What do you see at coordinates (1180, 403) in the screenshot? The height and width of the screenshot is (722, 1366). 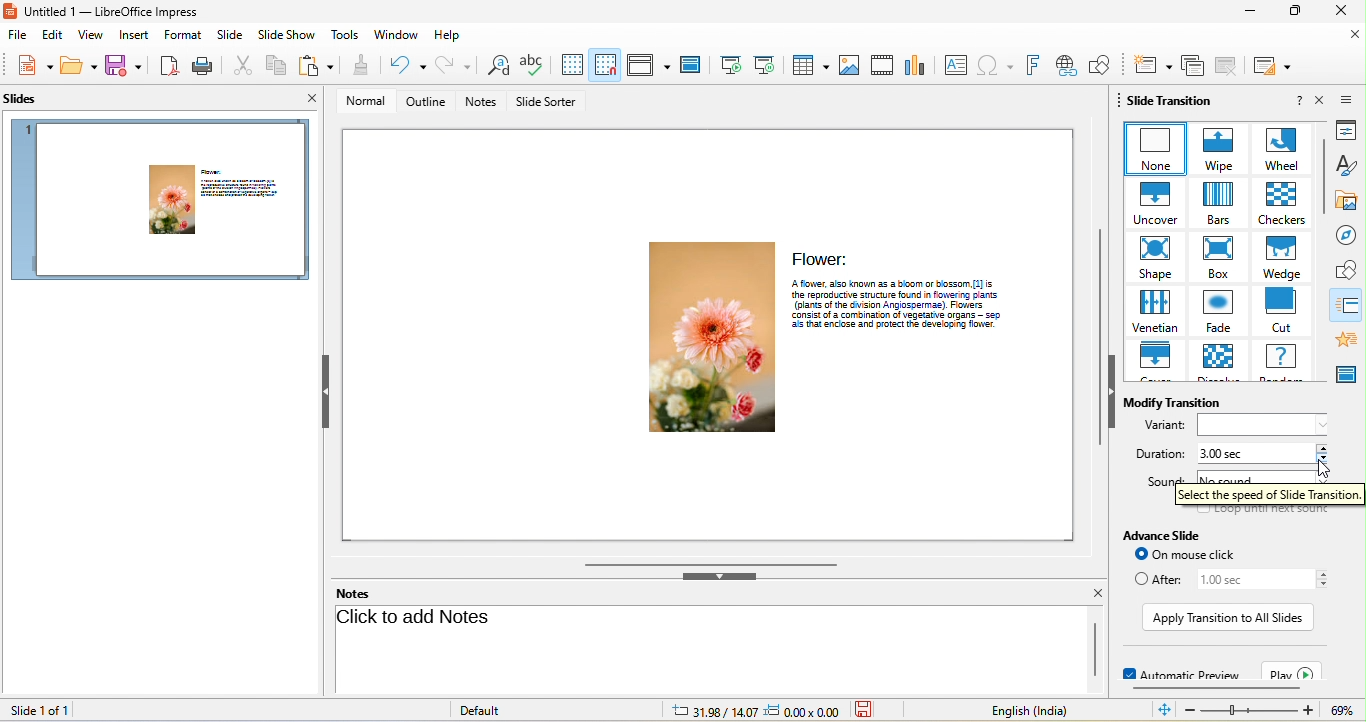 I see `modify transition` at bounding box center [1180, 403].